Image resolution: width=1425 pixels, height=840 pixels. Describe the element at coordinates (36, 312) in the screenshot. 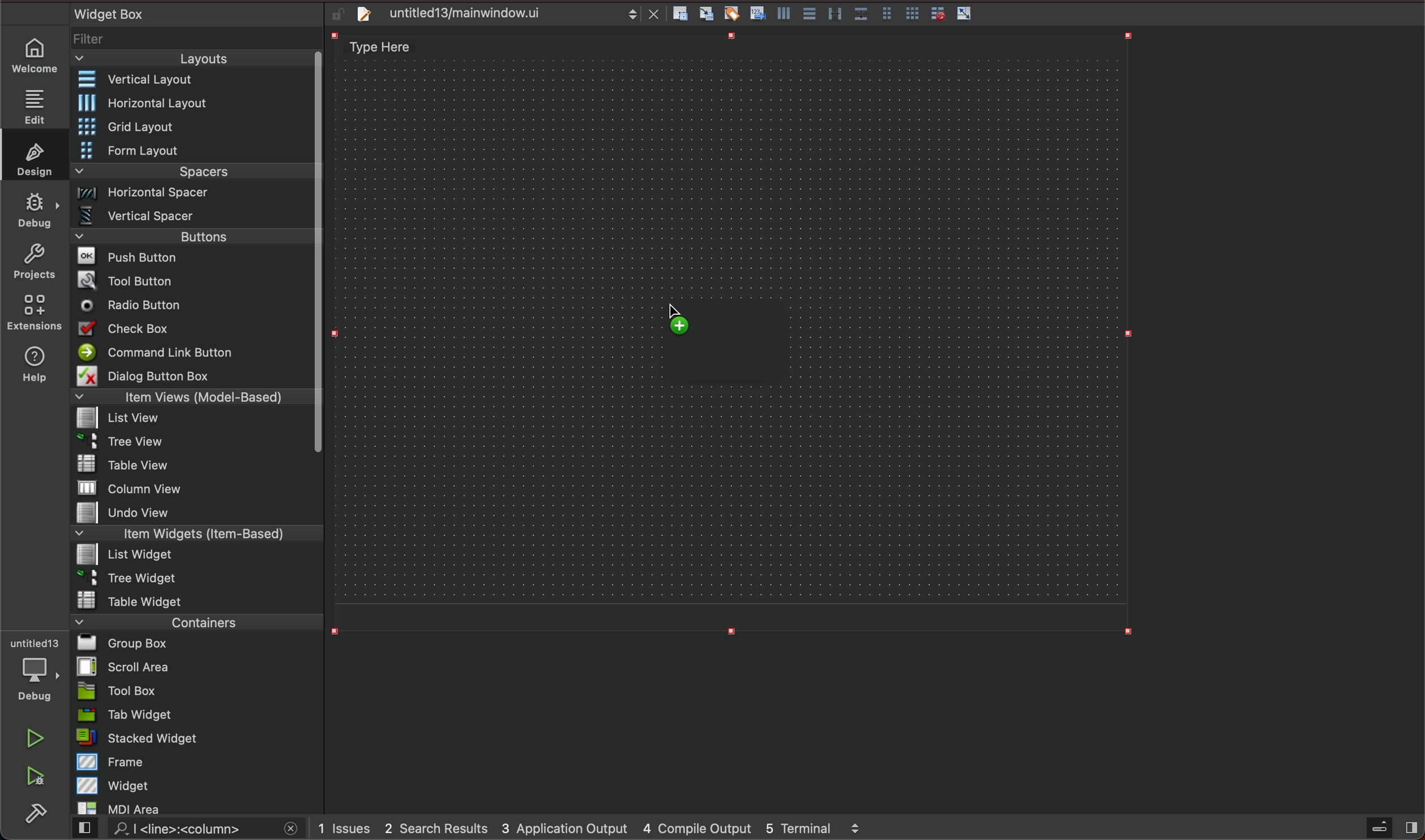

I see `extensions` at that location.